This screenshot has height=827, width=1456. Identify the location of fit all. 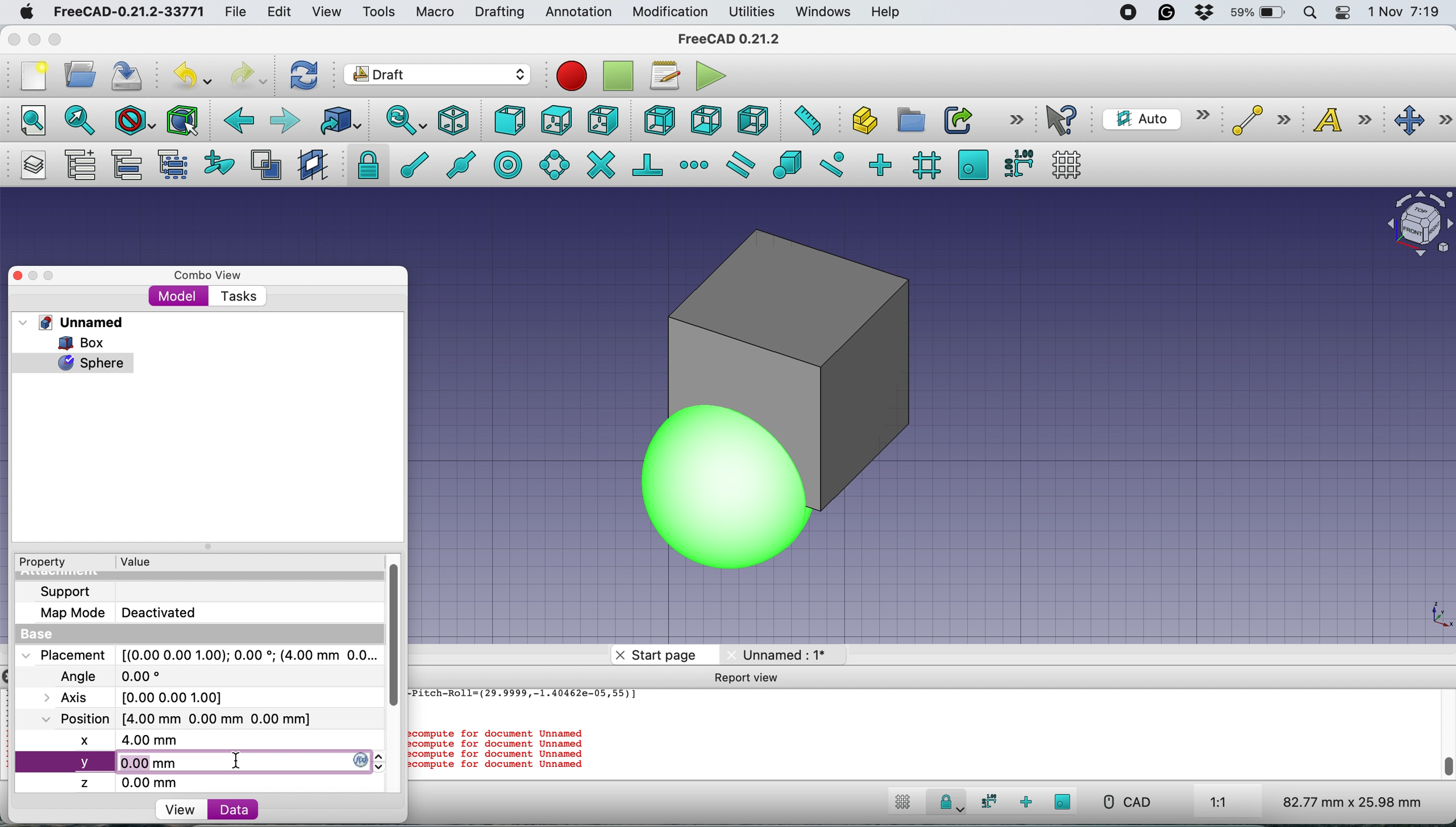
(27, 119).